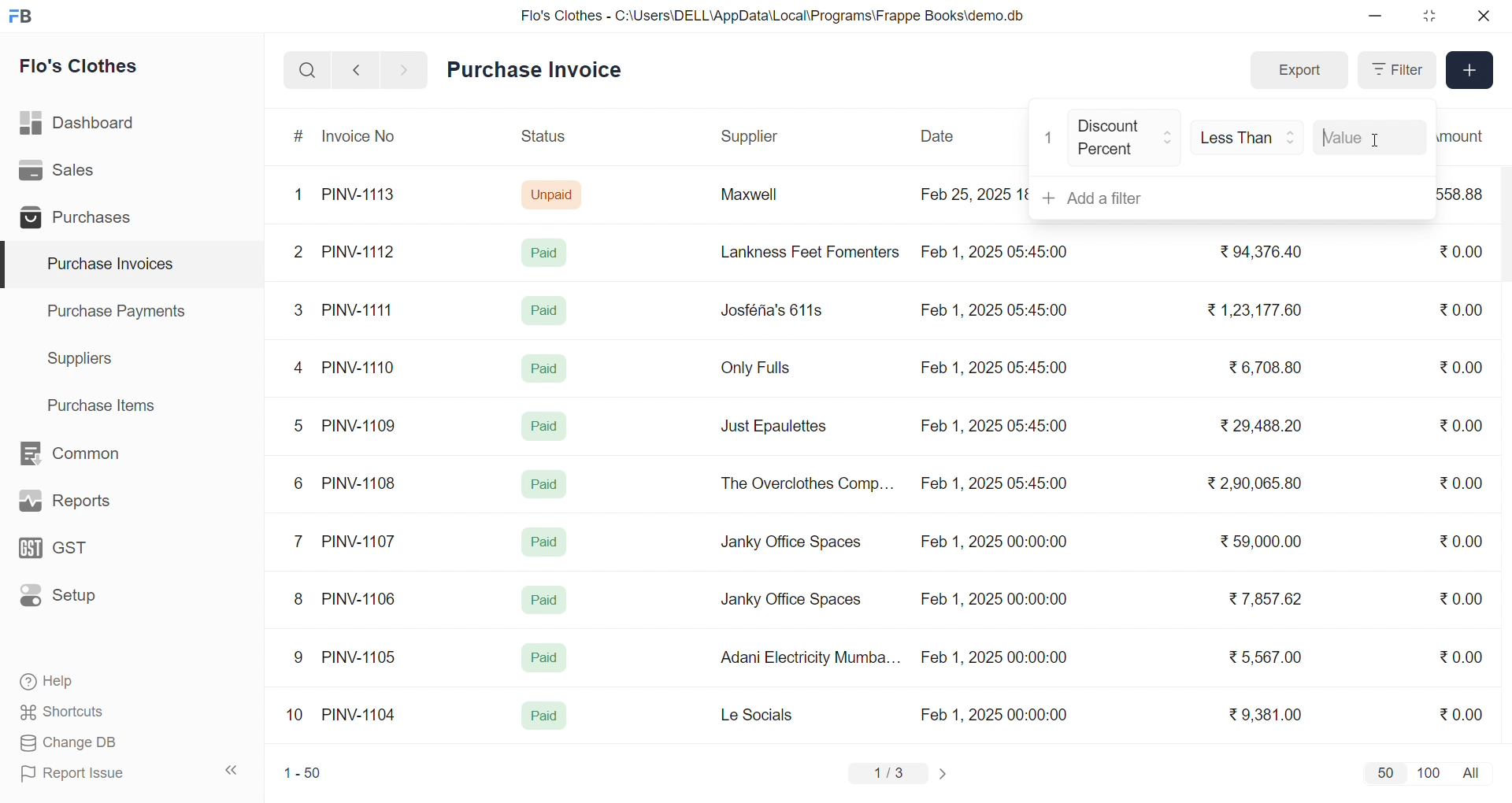 The height and width of the screenshot is (803, 1512). Describe the element at coordinates (81, 220) in the screenshot. I see `Purchases` at that location.